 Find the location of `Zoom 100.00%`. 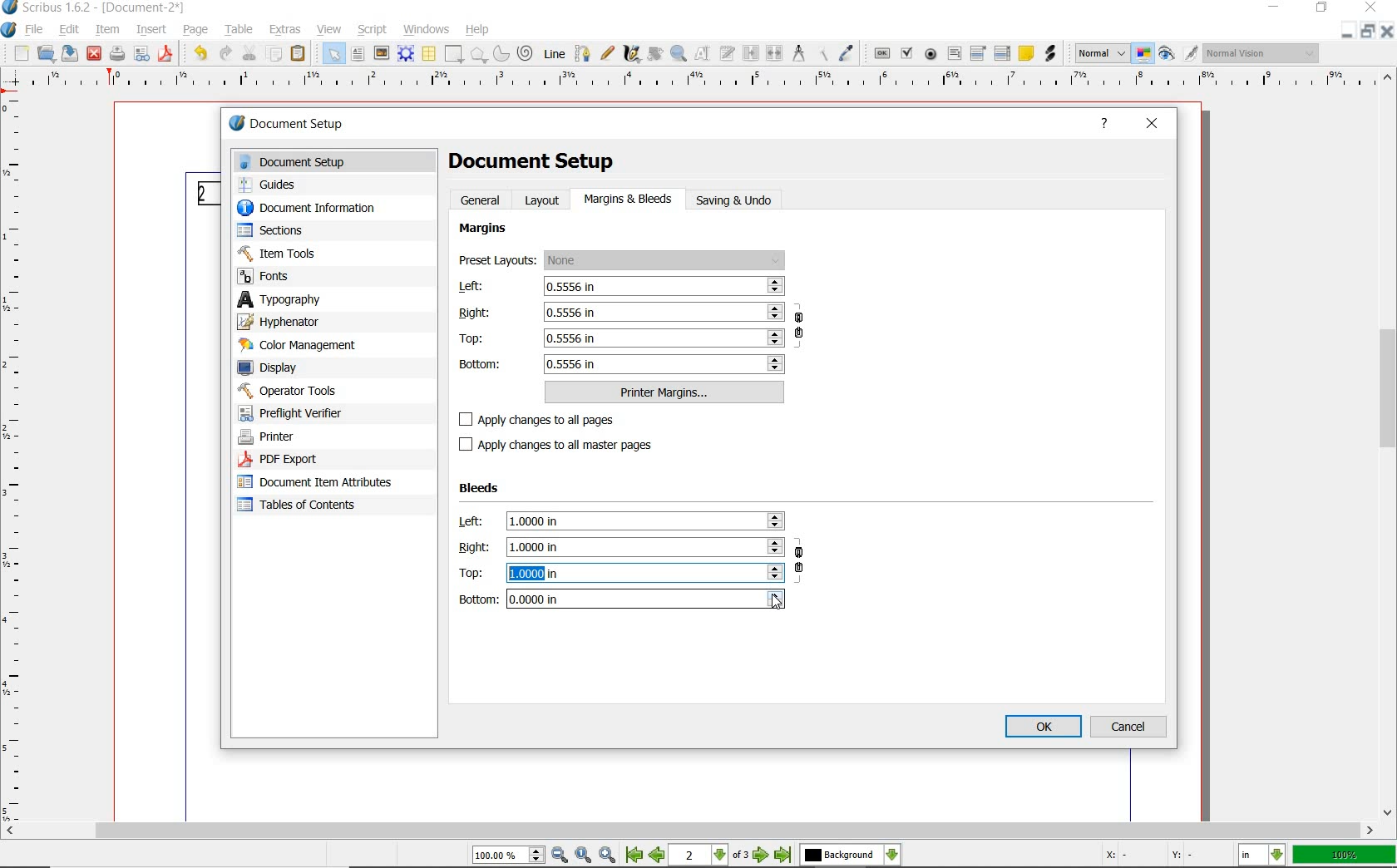

Zoom 100.00% is located at coordinates (506, 857).